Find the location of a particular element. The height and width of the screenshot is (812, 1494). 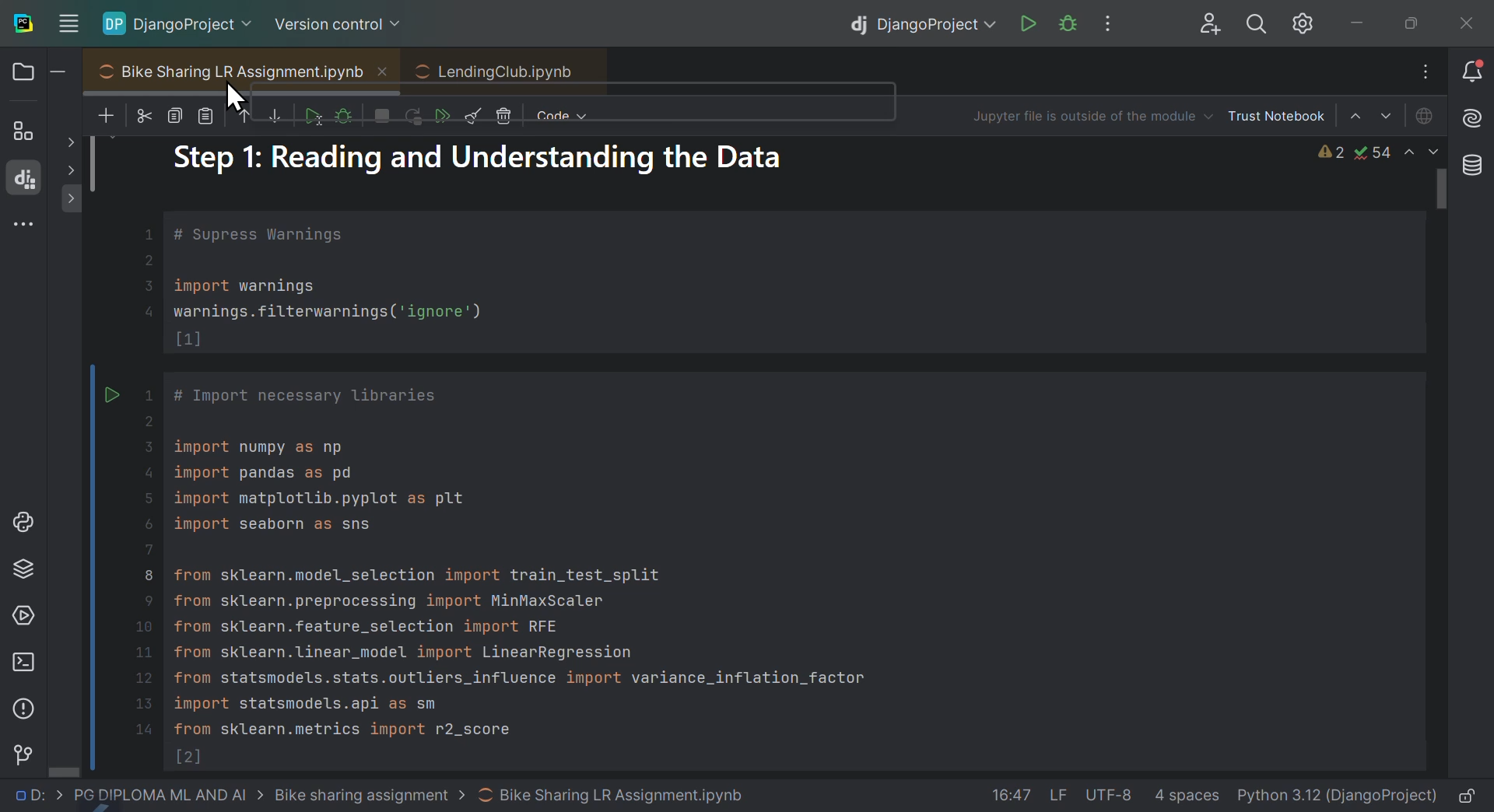

At maximise is located at coordinates (1411, 23).